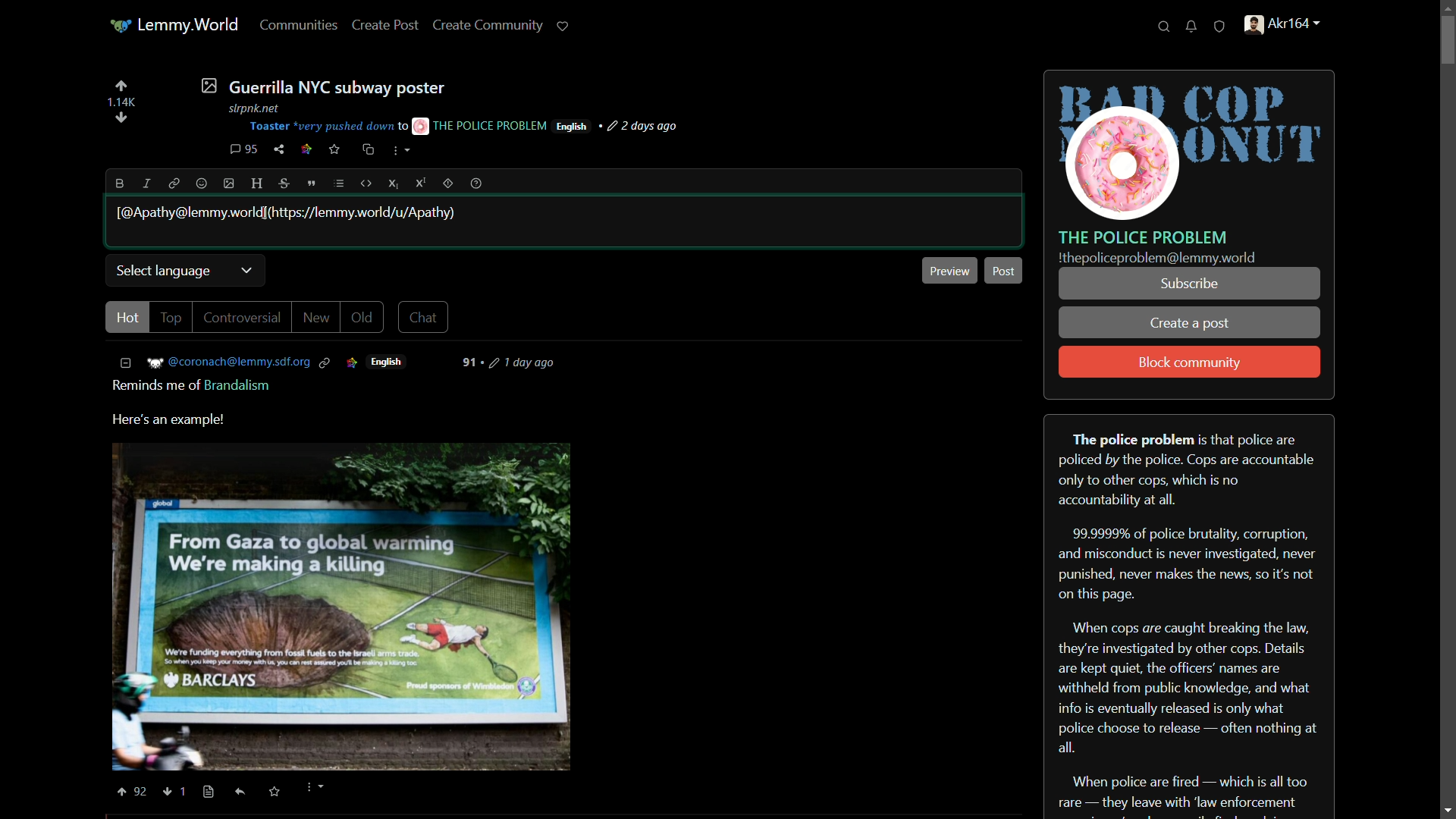 The image size is (1456, 819). Describe the element at coordinates (286, 184) in the screenshot. I see `strikethrough` at that location.